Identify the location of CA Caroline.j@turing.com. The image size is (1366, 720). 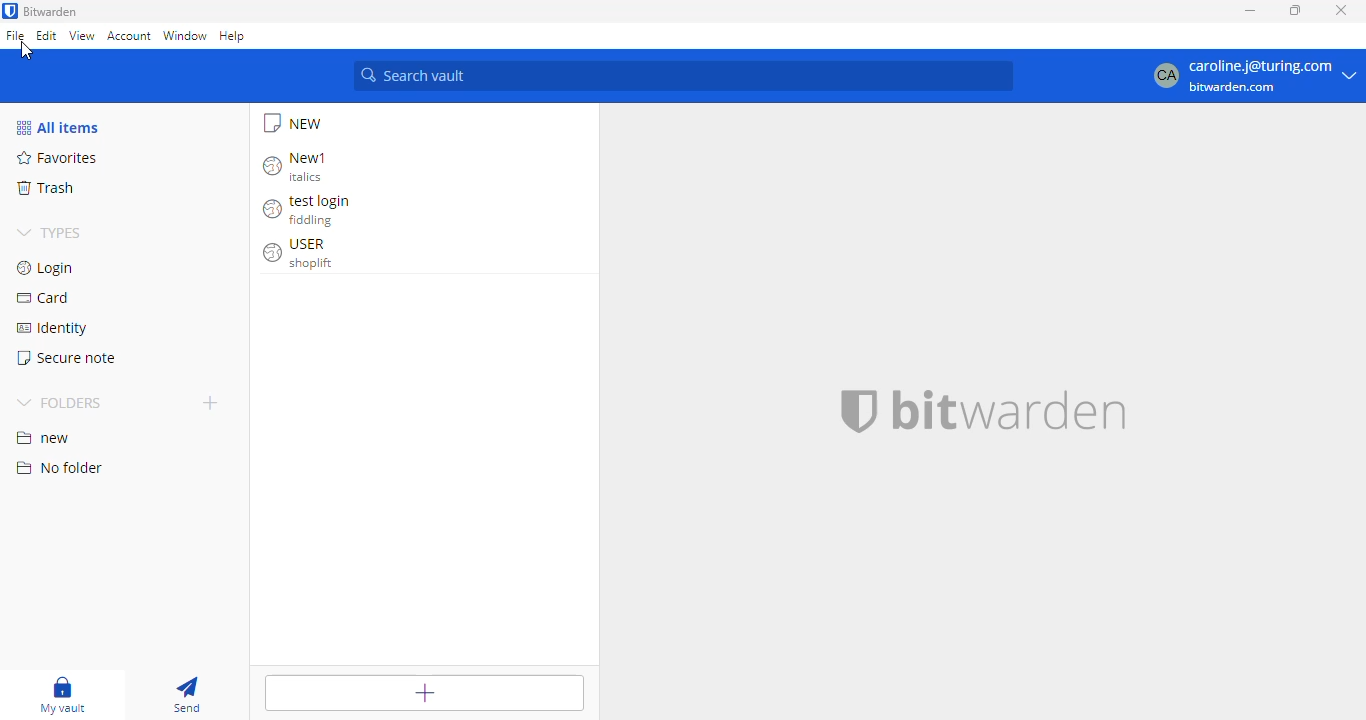
(1256, 77).